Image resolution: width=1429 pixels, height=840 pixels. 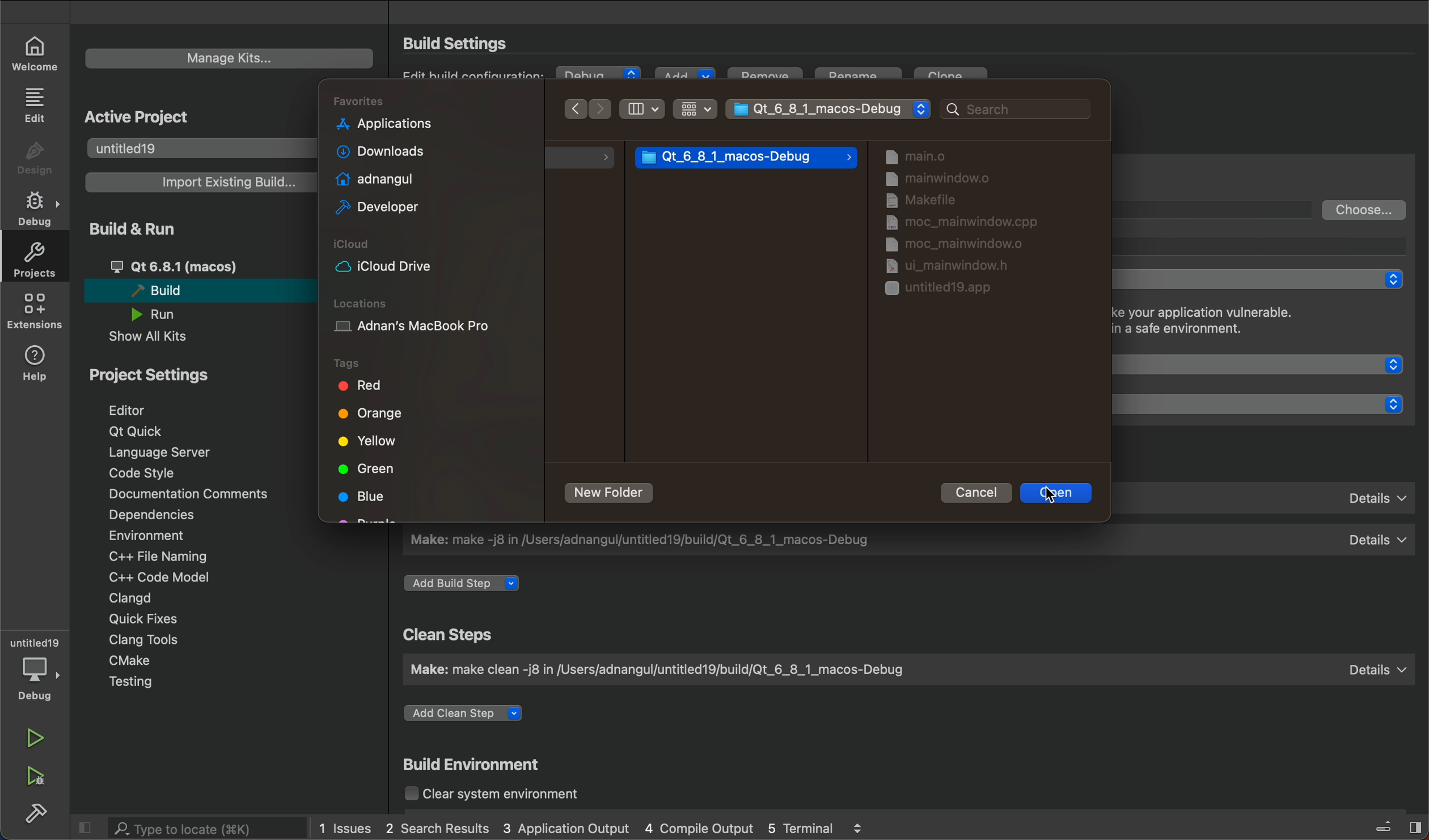 What do you see at coordinates (954, 78) in the screenshot?
I see `clone` at bounding box center [954, 78].